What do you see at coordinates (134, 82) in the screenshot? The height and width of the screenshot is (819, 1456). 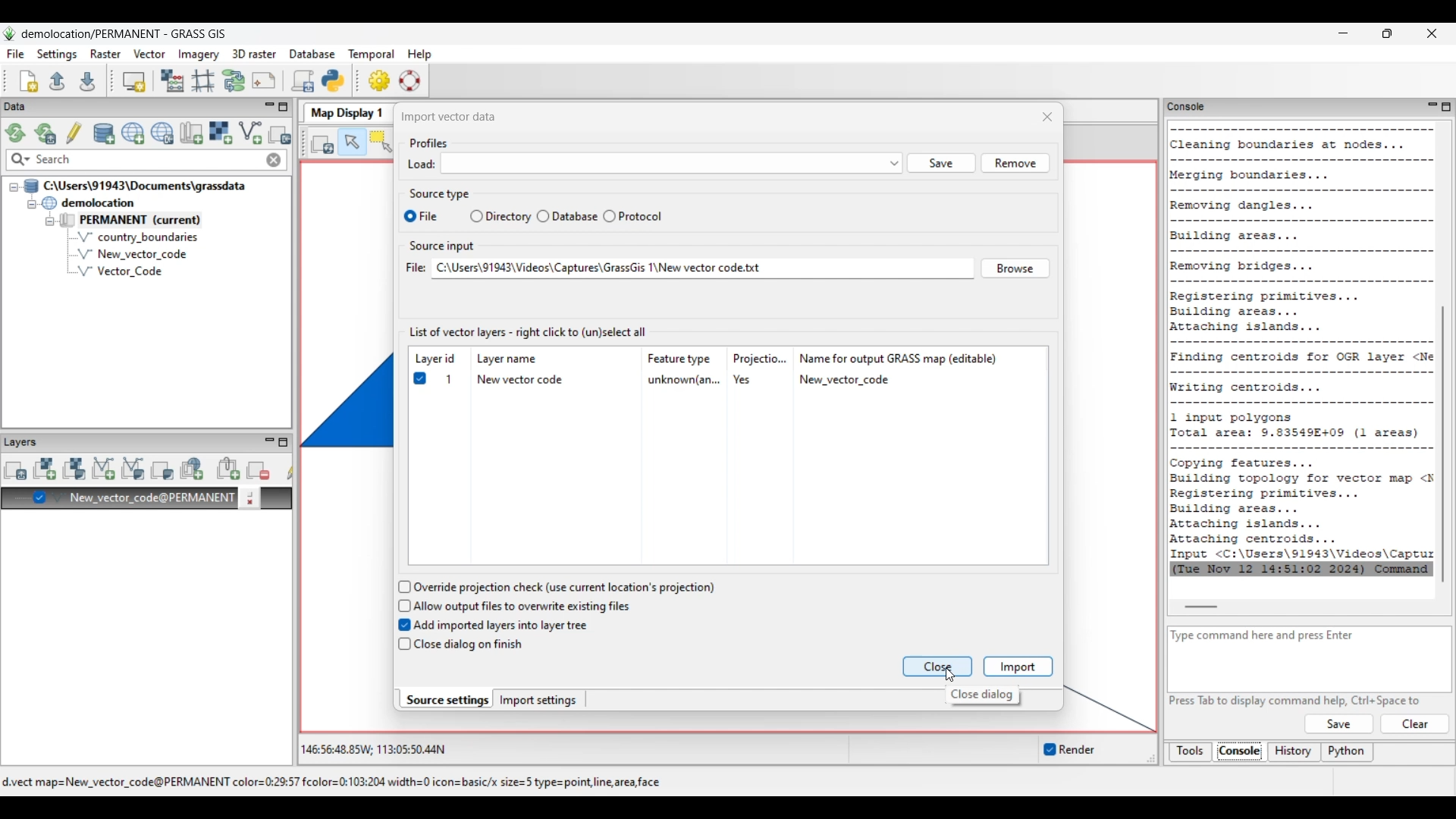 I see `Start new map display` at bounding box center [134, 82].